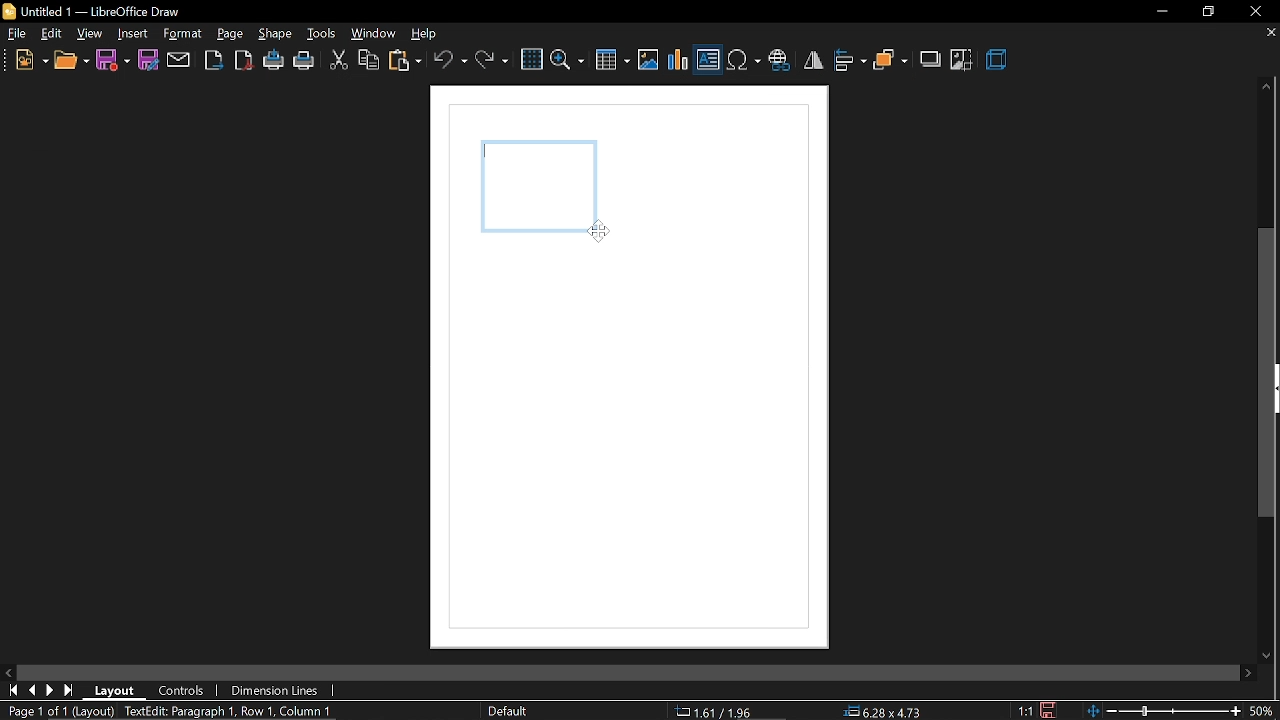 Image resolution: width=1280 pixels, height=720 pixels. Describe the element at coordinates (885, 712) in the screenshot. I see `position` at that location.